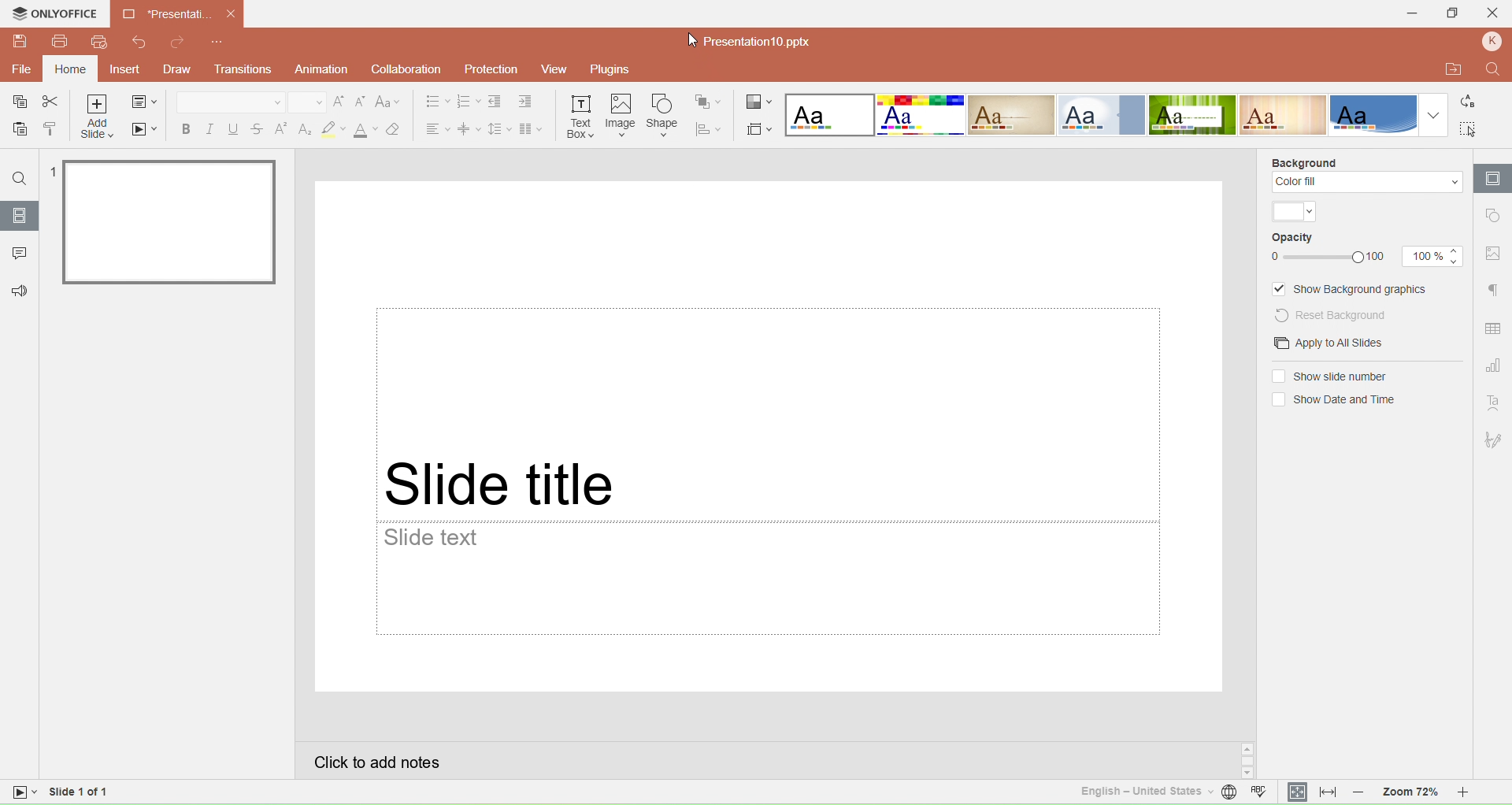 The image size is (1512, 805). What do you see at coordinates (1294, 239) in the screenshot?
I see `Opacity` at bounding box center [1294, 239].